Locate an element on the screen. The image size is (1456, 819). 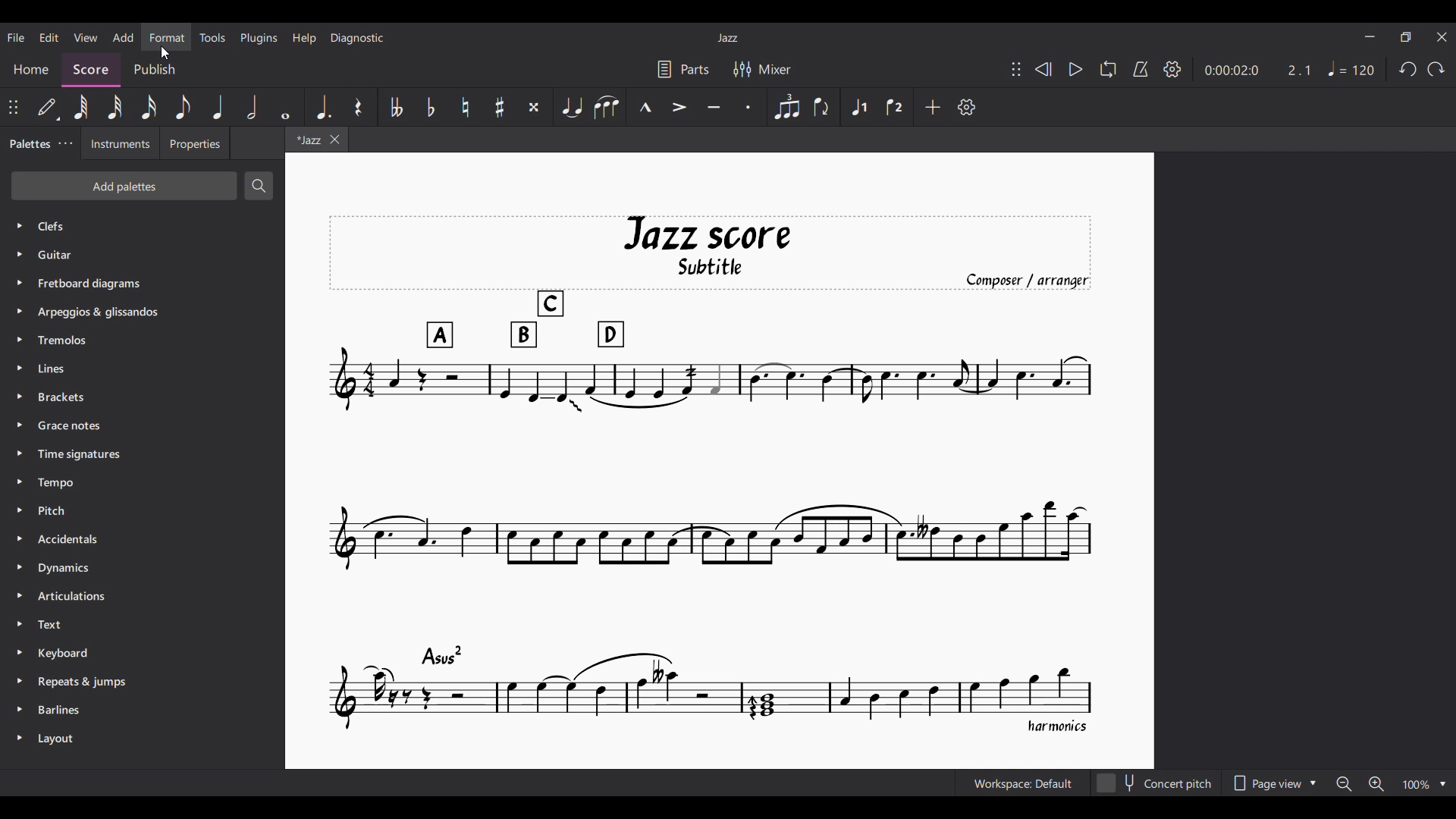
Diagnostic menu is located at coordinates (356, 39).